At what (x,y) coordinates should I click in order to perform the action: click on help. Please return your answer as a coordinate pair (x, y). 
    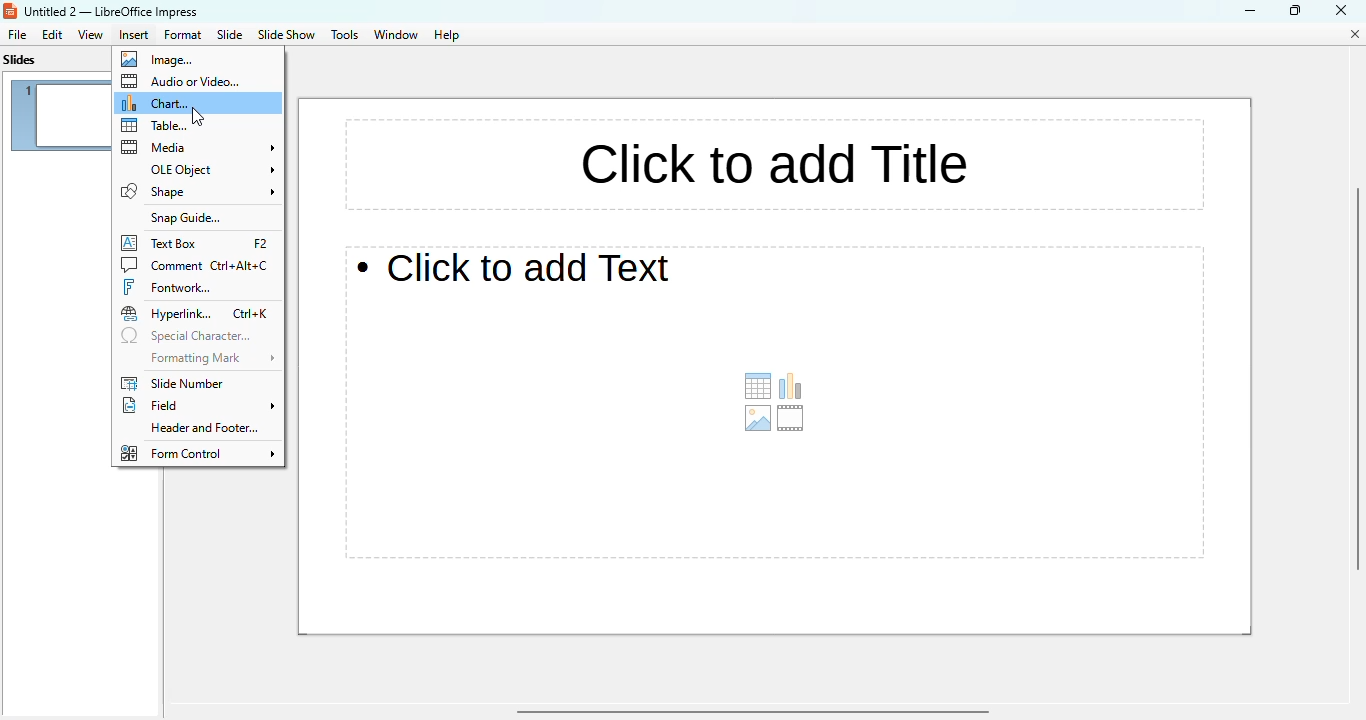
    Looking at the image, I should click on (447, 34).